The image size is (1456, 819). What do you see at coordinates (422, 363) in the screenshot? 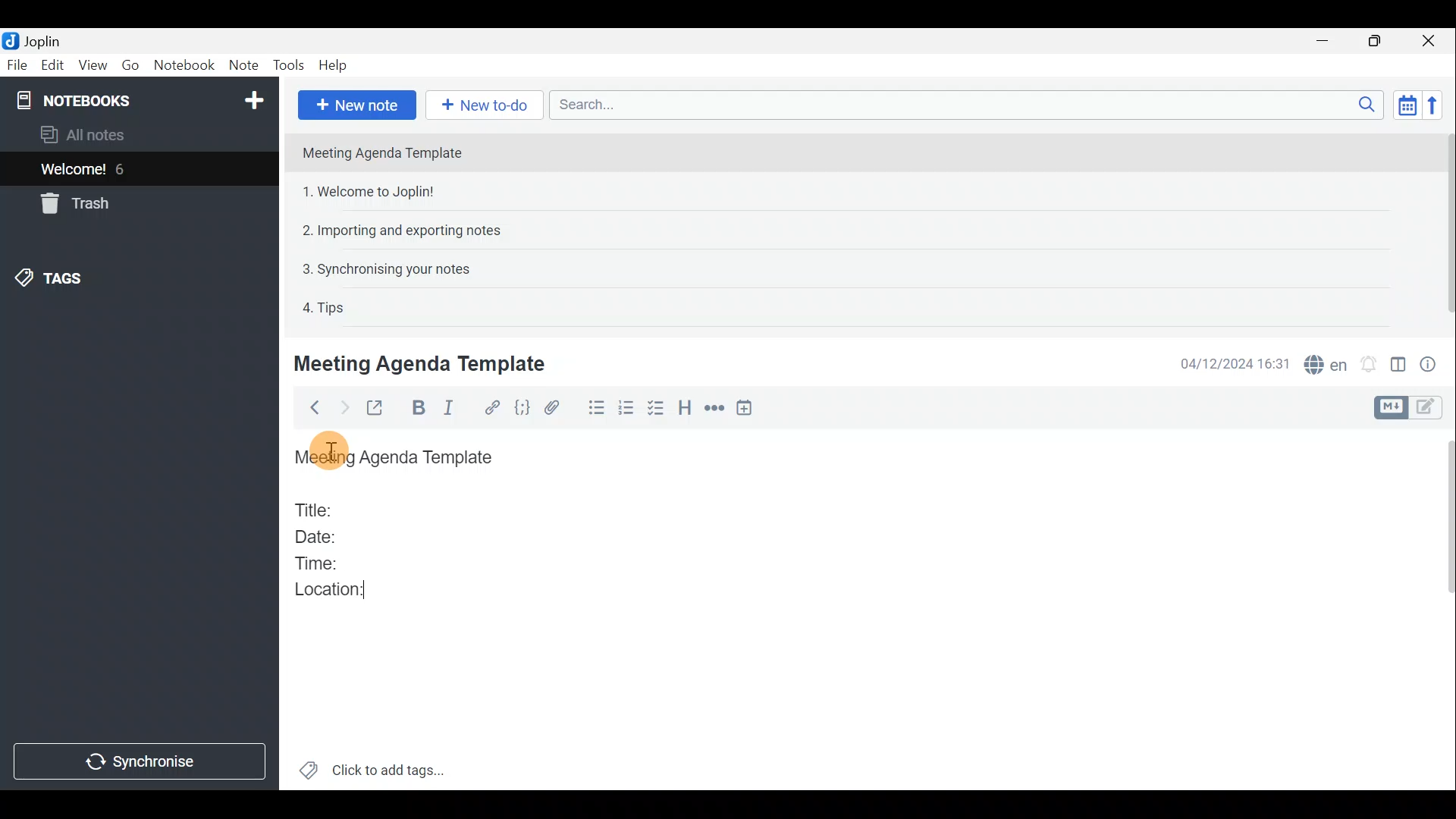
I see `Meeting Agenda Template` at bounding box center [422, 363].